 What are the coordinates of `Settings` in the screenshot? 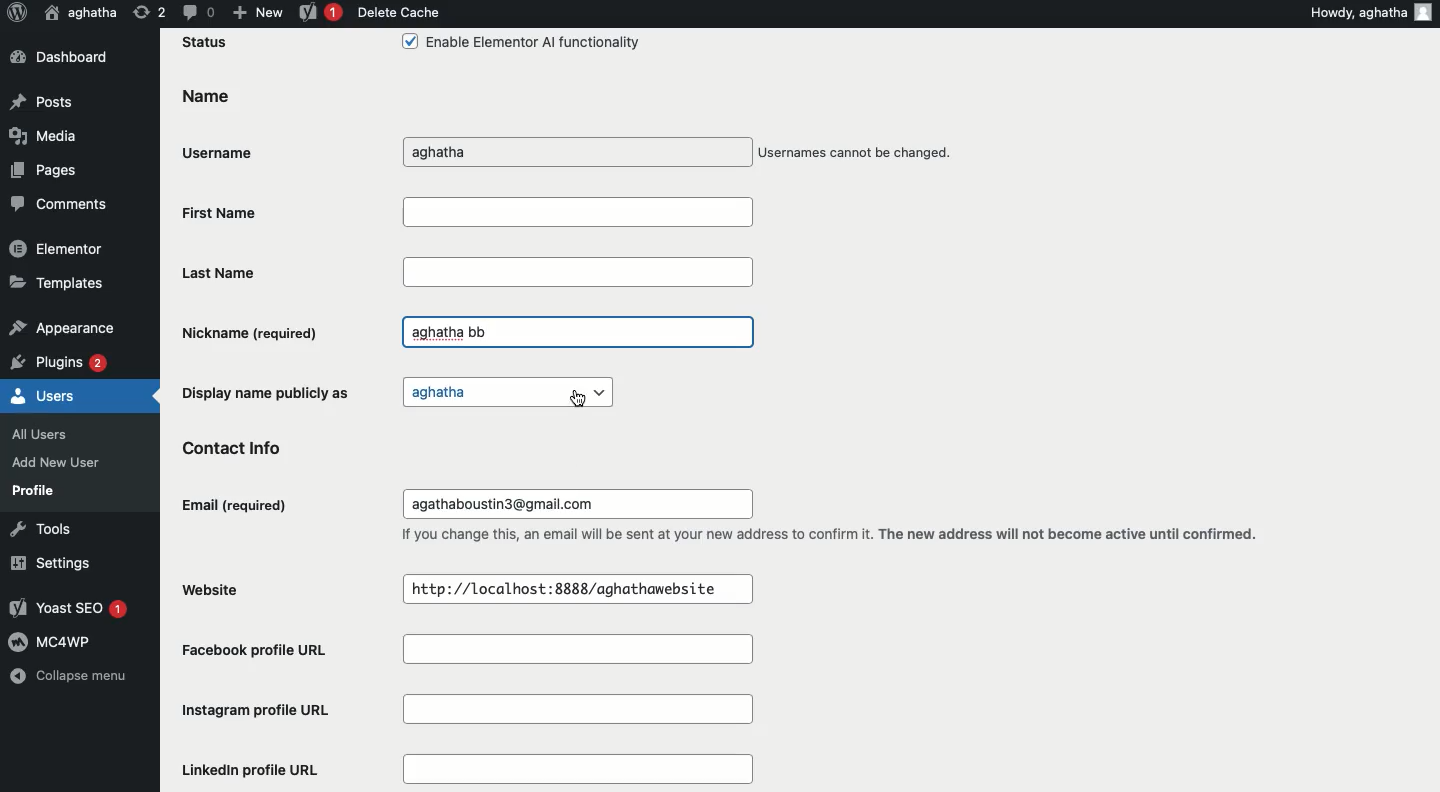 It's located at (47, 563).